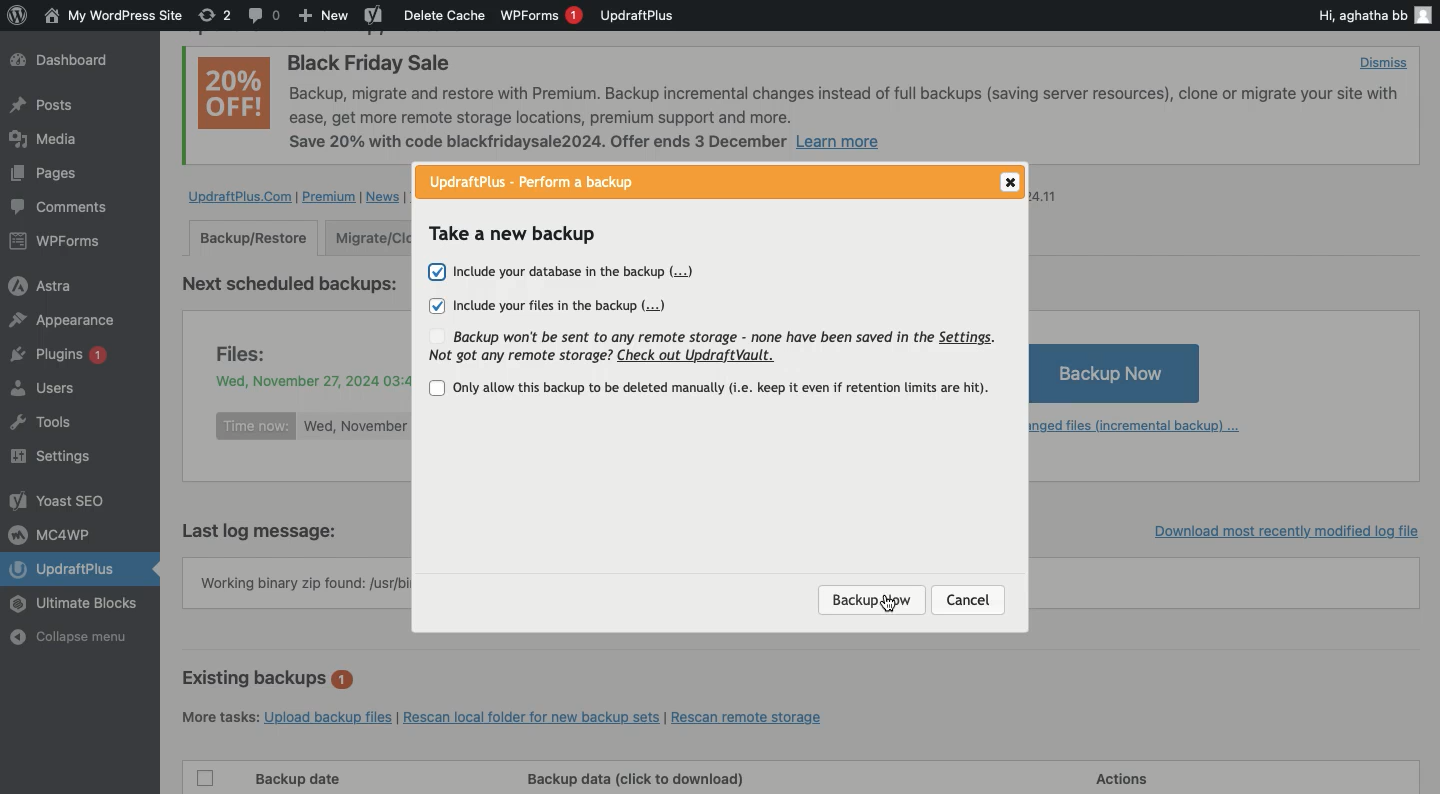 This screenshot has height=794, width=1440. What do you see at coordinates (297, 581) in the screenshot?
I see `Working binary zip found: /usr/b` at bounding box center [297, 581].